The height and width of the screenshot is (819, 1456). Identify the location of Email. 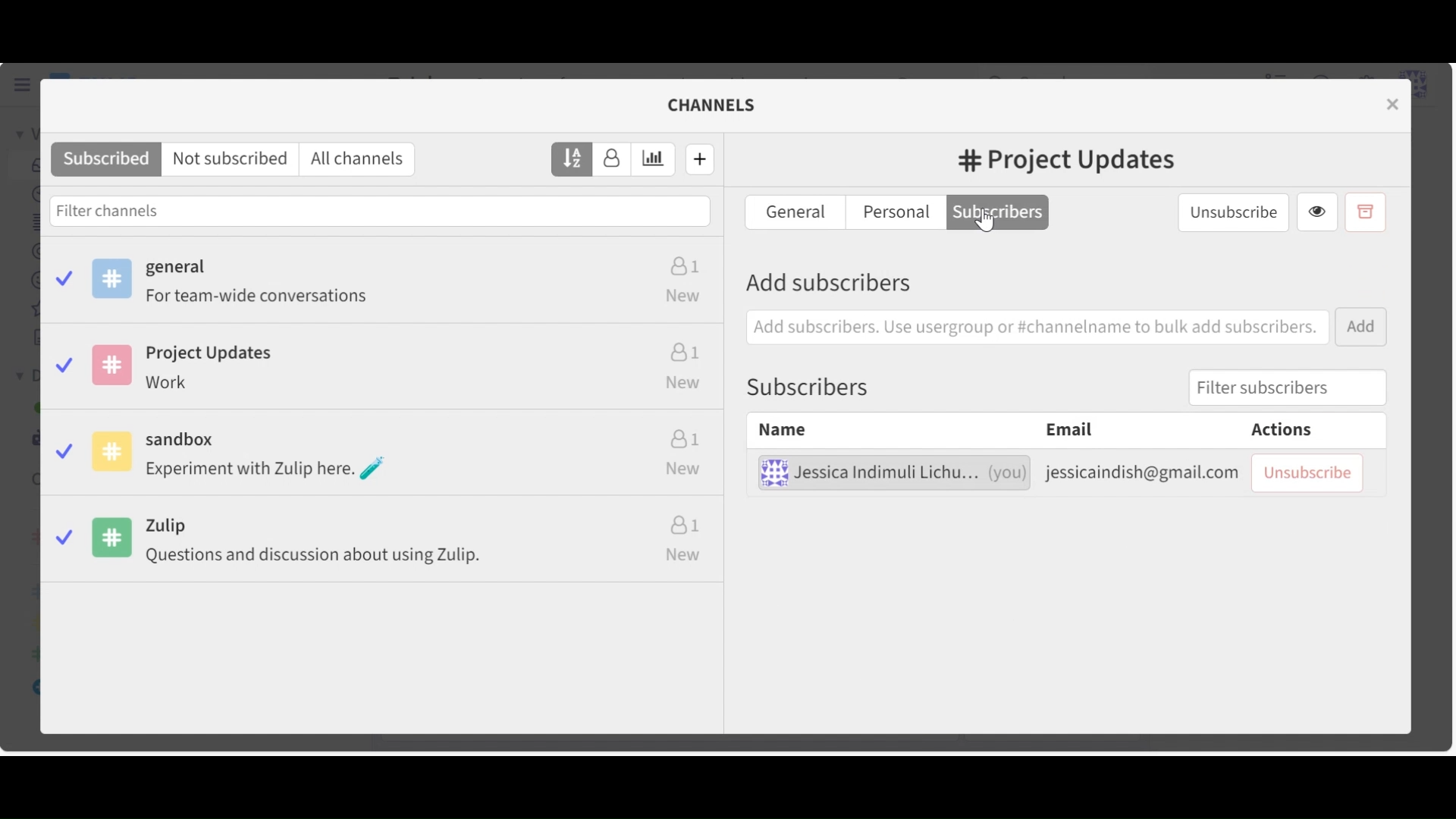
(1141, 431).